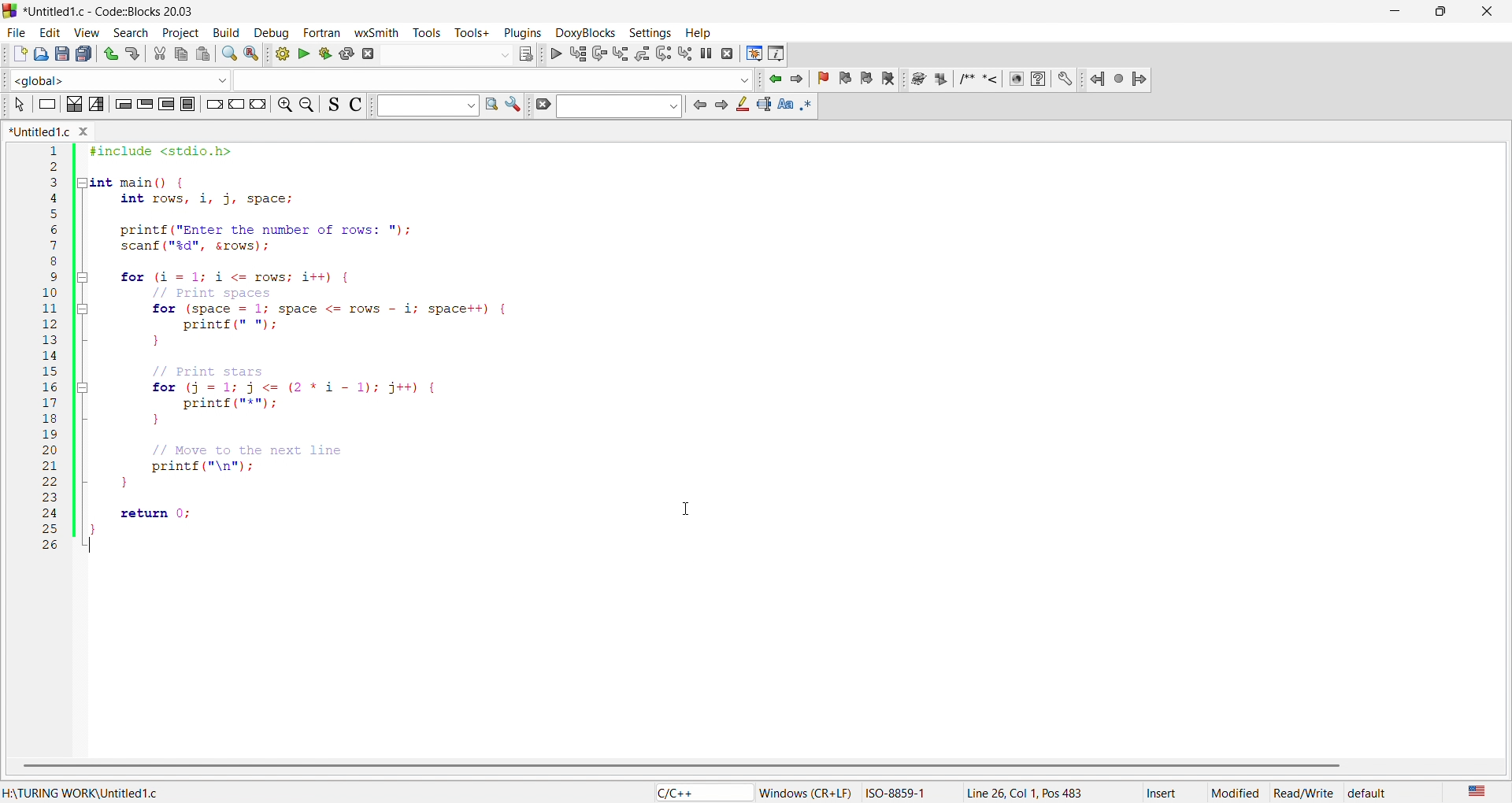 The image size is (1512, 803). Describe the element at coordinates (1476, 791) in the screenshot. I see `us english` at that location.